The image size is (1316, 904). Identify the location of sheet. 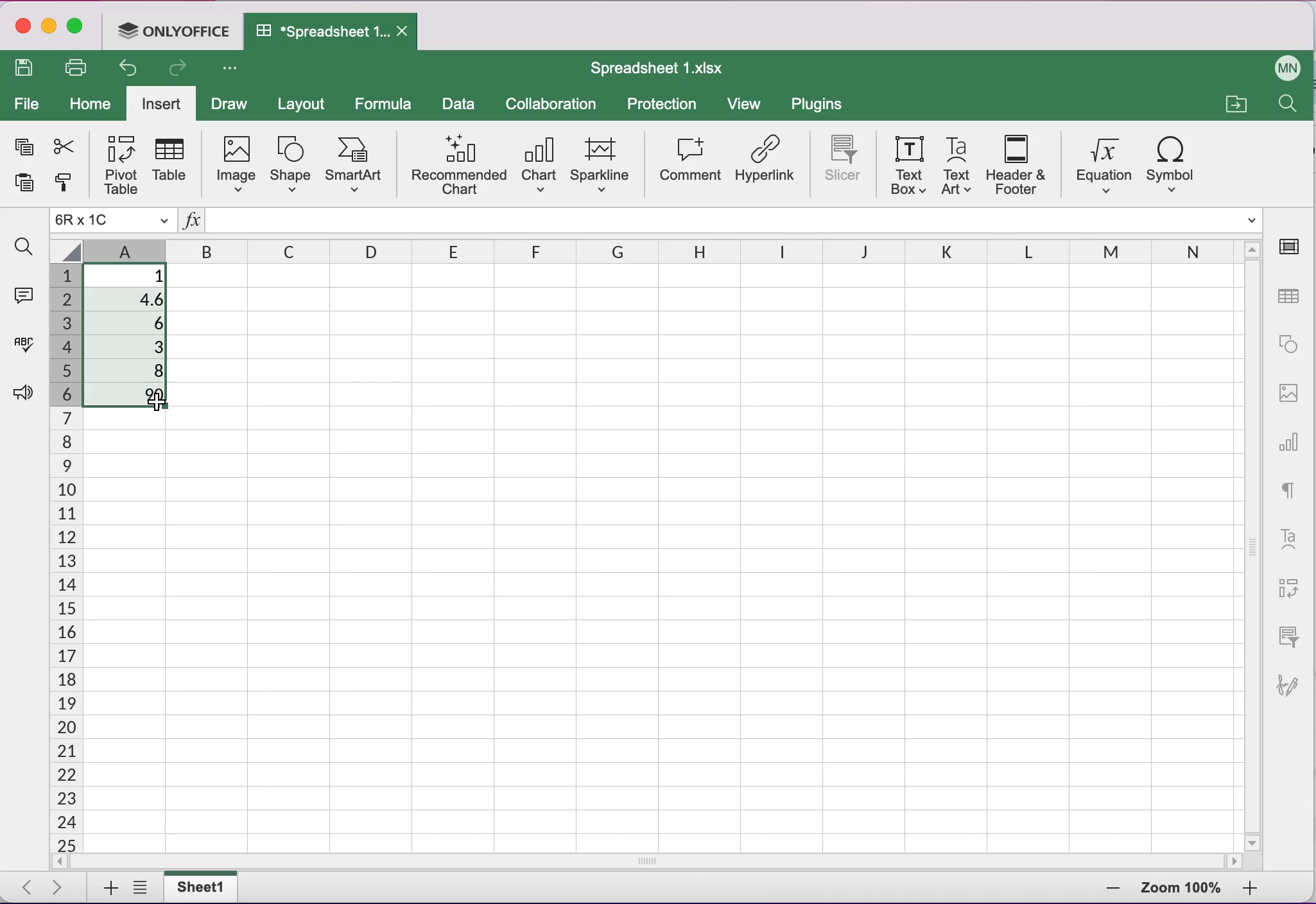
(202, 887).